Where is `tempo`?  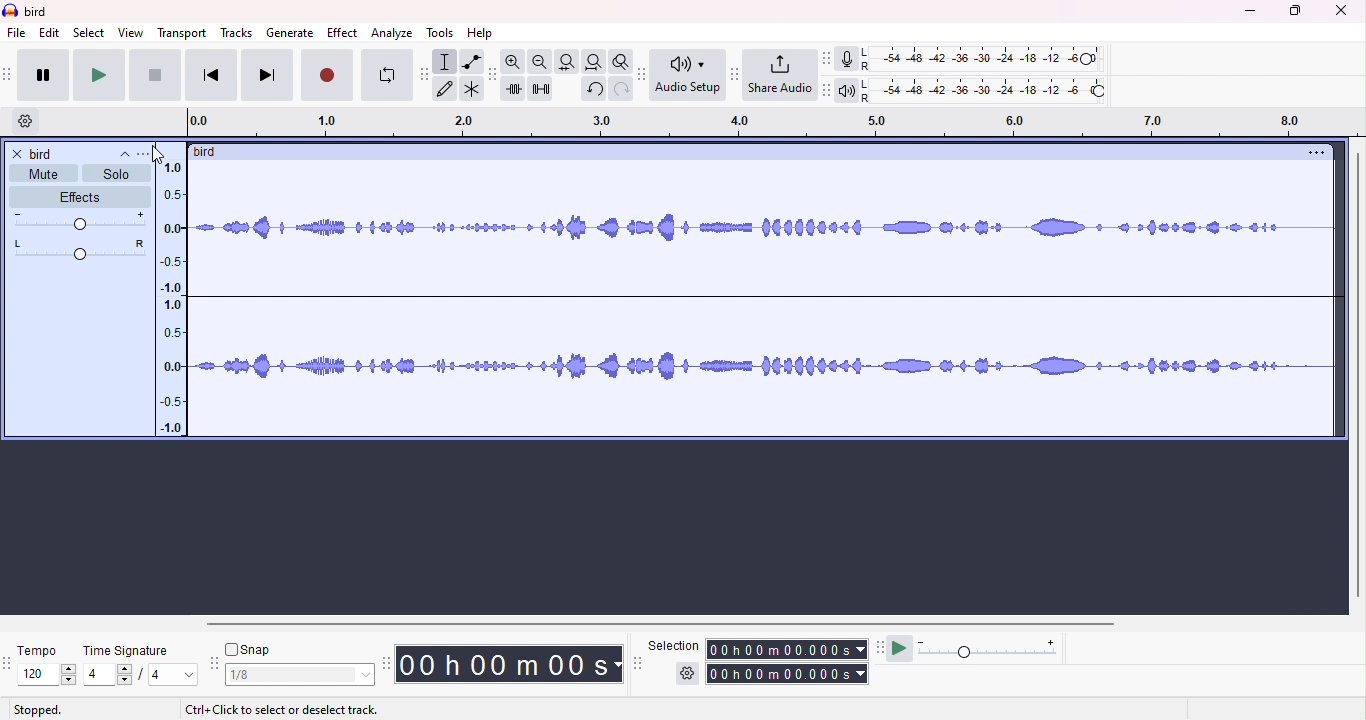
tempo is located at coordinates (38, 649).